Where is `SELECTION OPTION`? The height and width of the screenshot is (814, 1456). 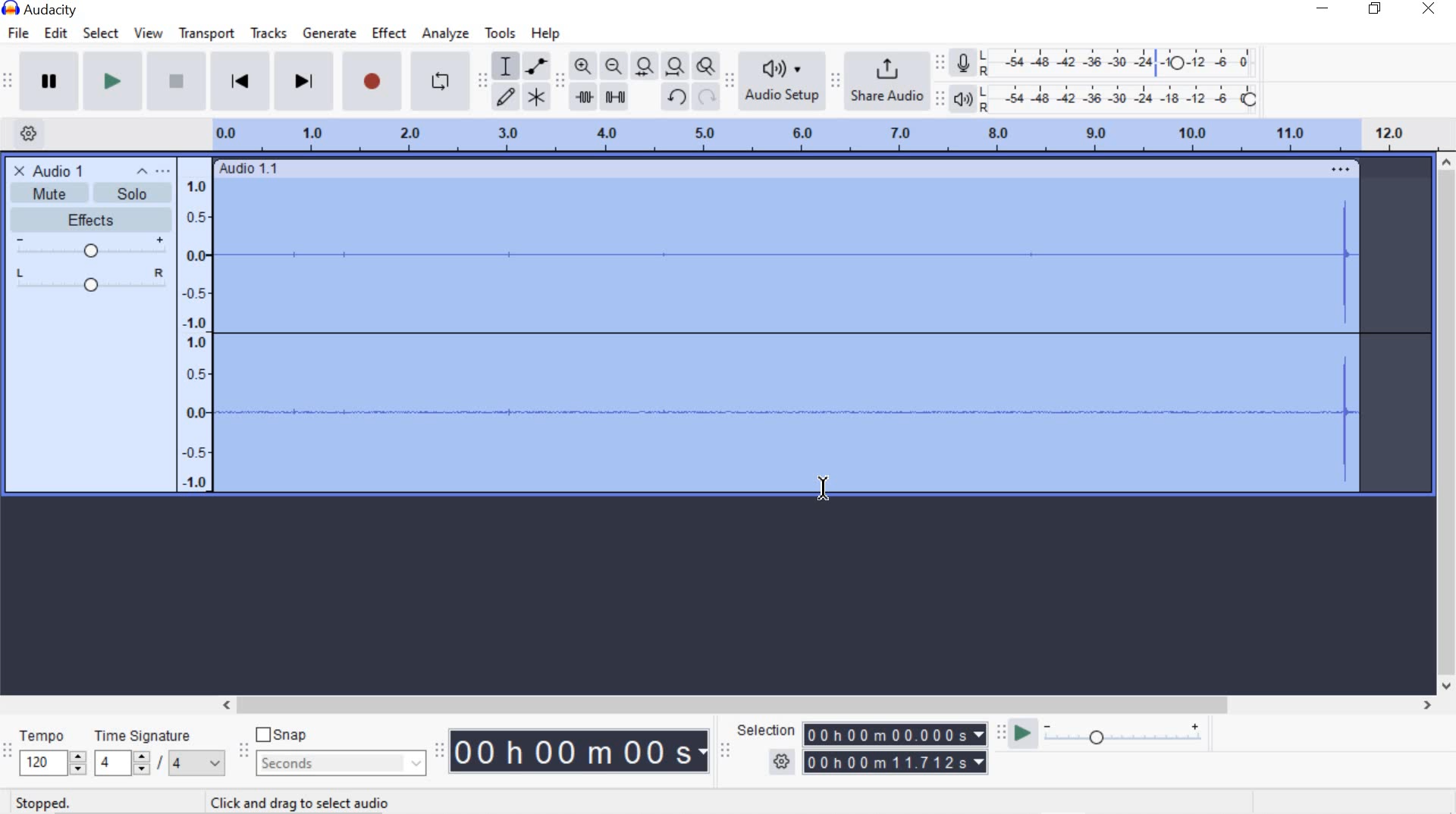 SELECTION OPTION is located at coordinates (783, 762).